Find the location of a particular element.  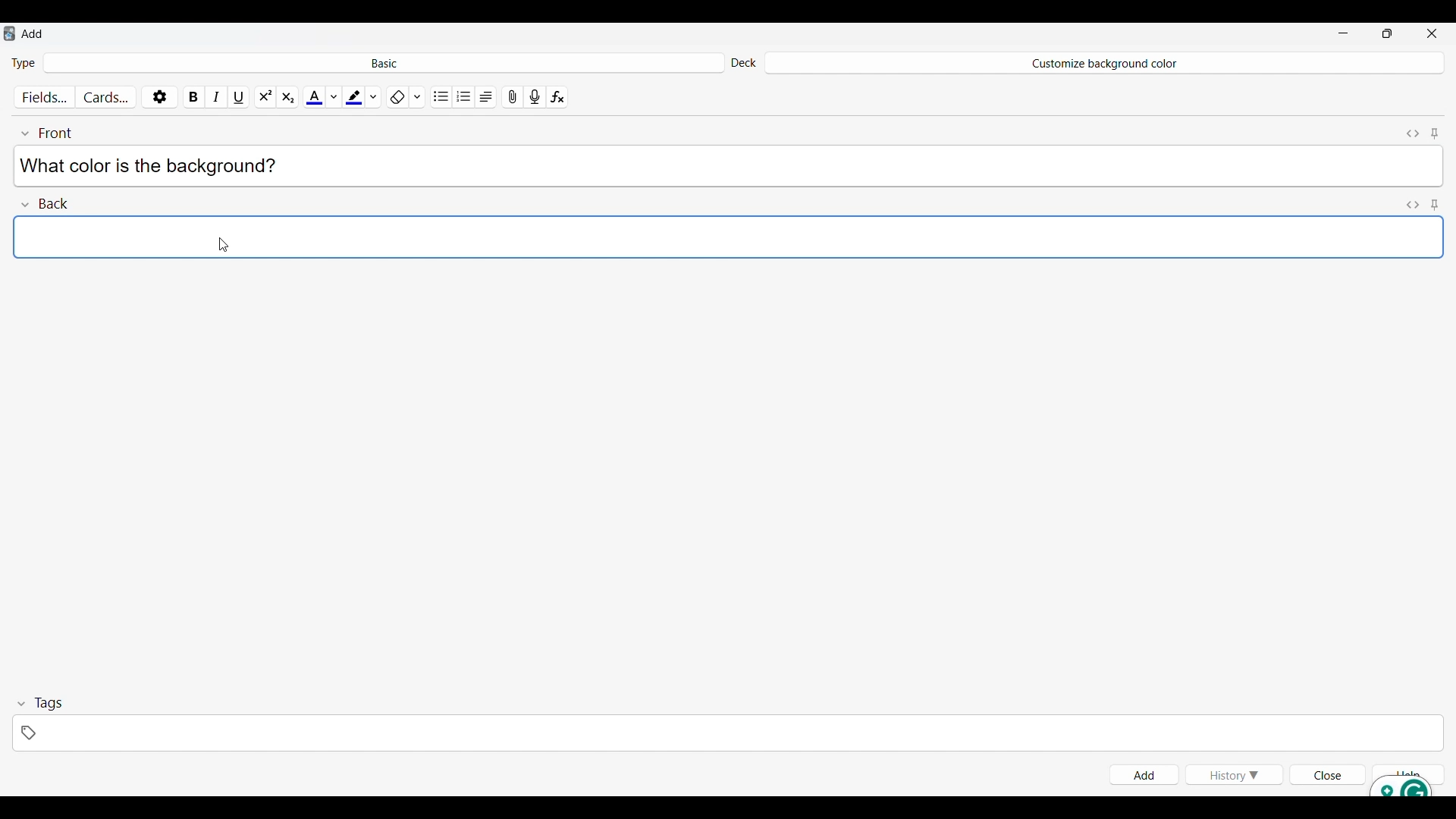

Customize fields is located at coordinates (46, 95).